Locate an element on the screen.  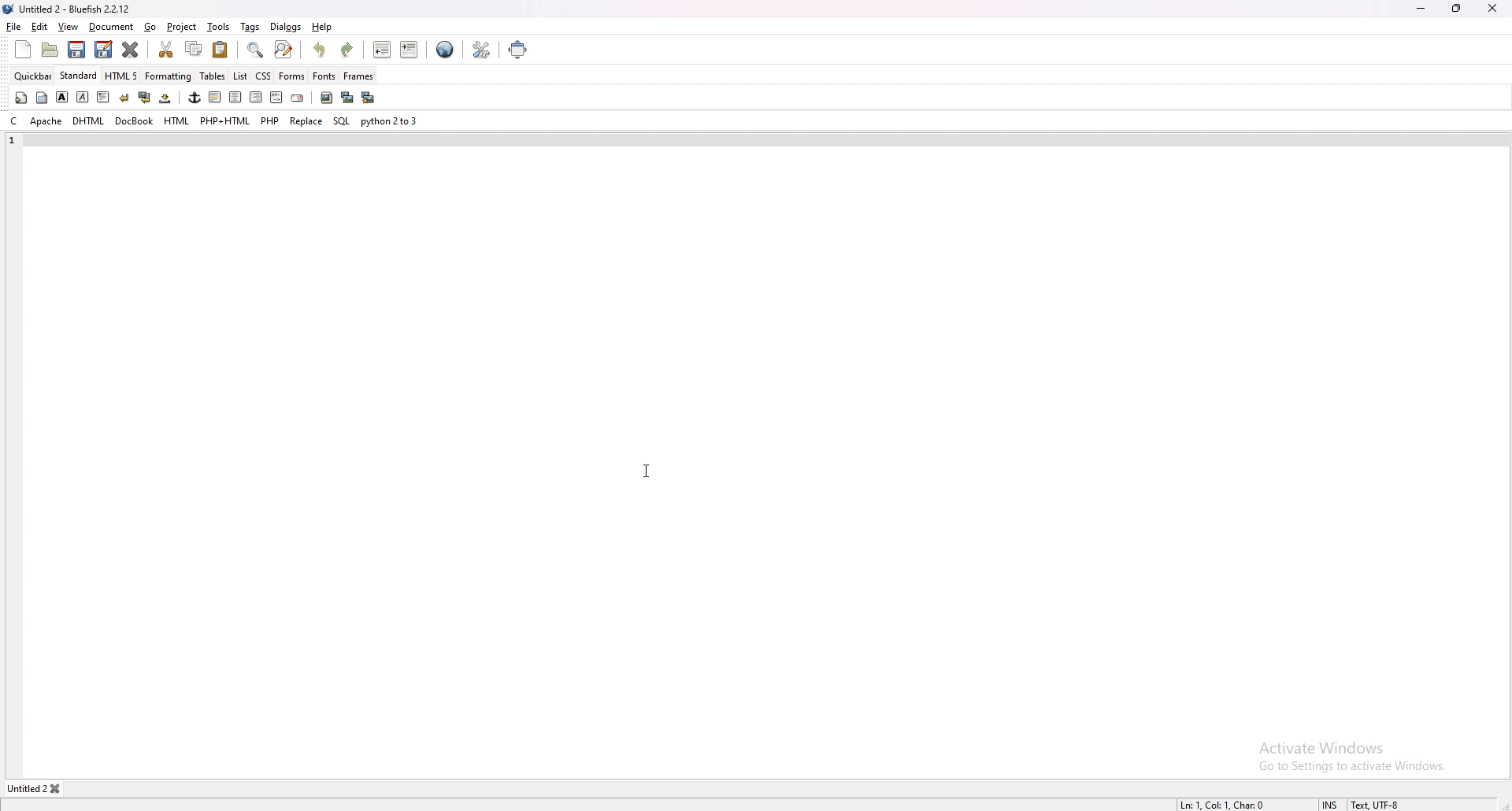
unindent is located at coordinates (382, 49).